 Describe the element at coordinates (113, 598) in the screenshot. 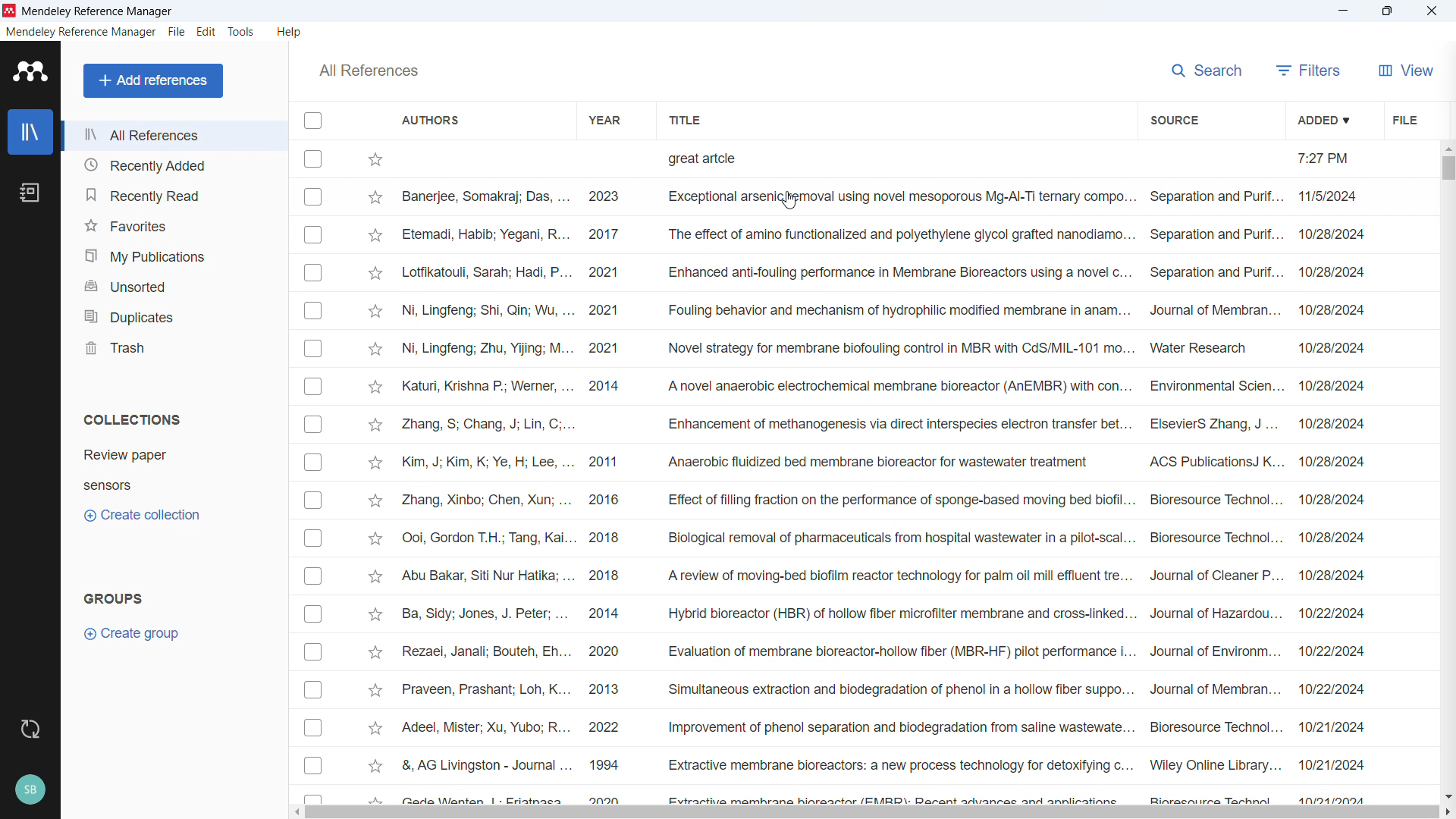

I see `Groups ` at that location.